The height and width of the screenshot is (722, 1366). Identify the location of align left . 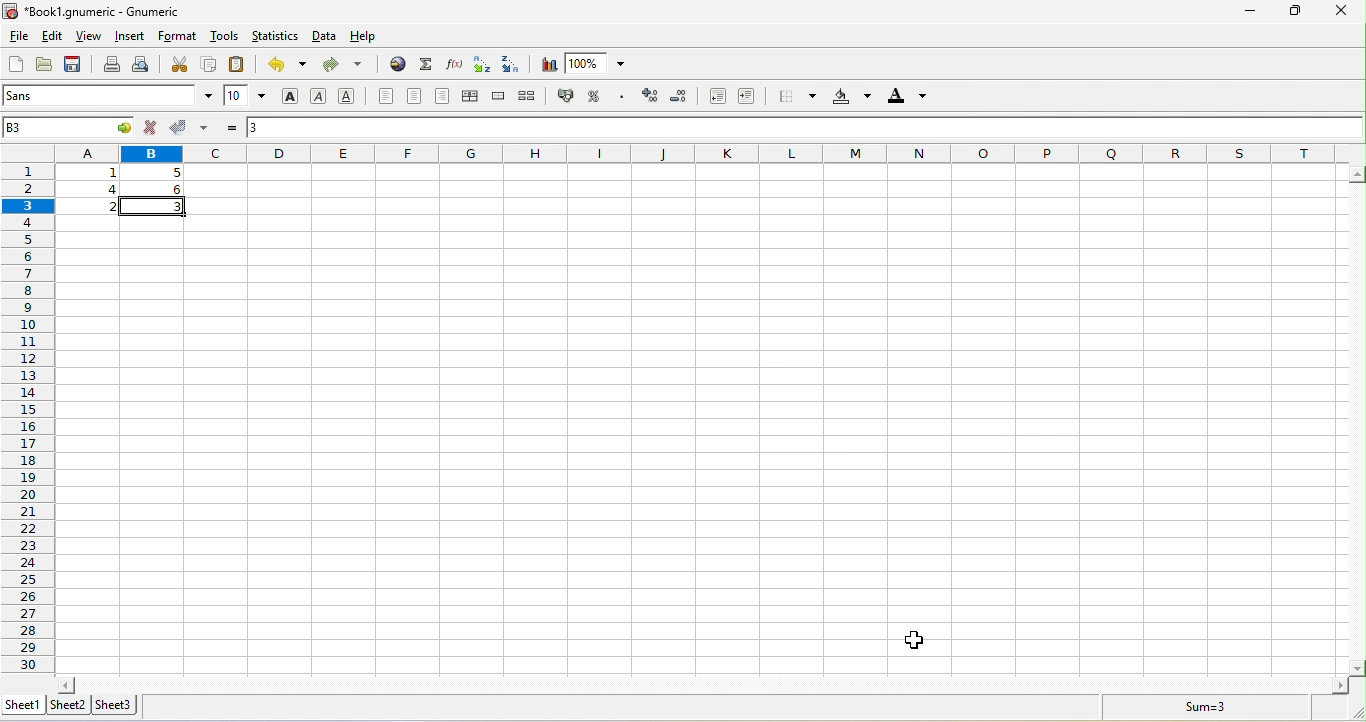
(384, 97).